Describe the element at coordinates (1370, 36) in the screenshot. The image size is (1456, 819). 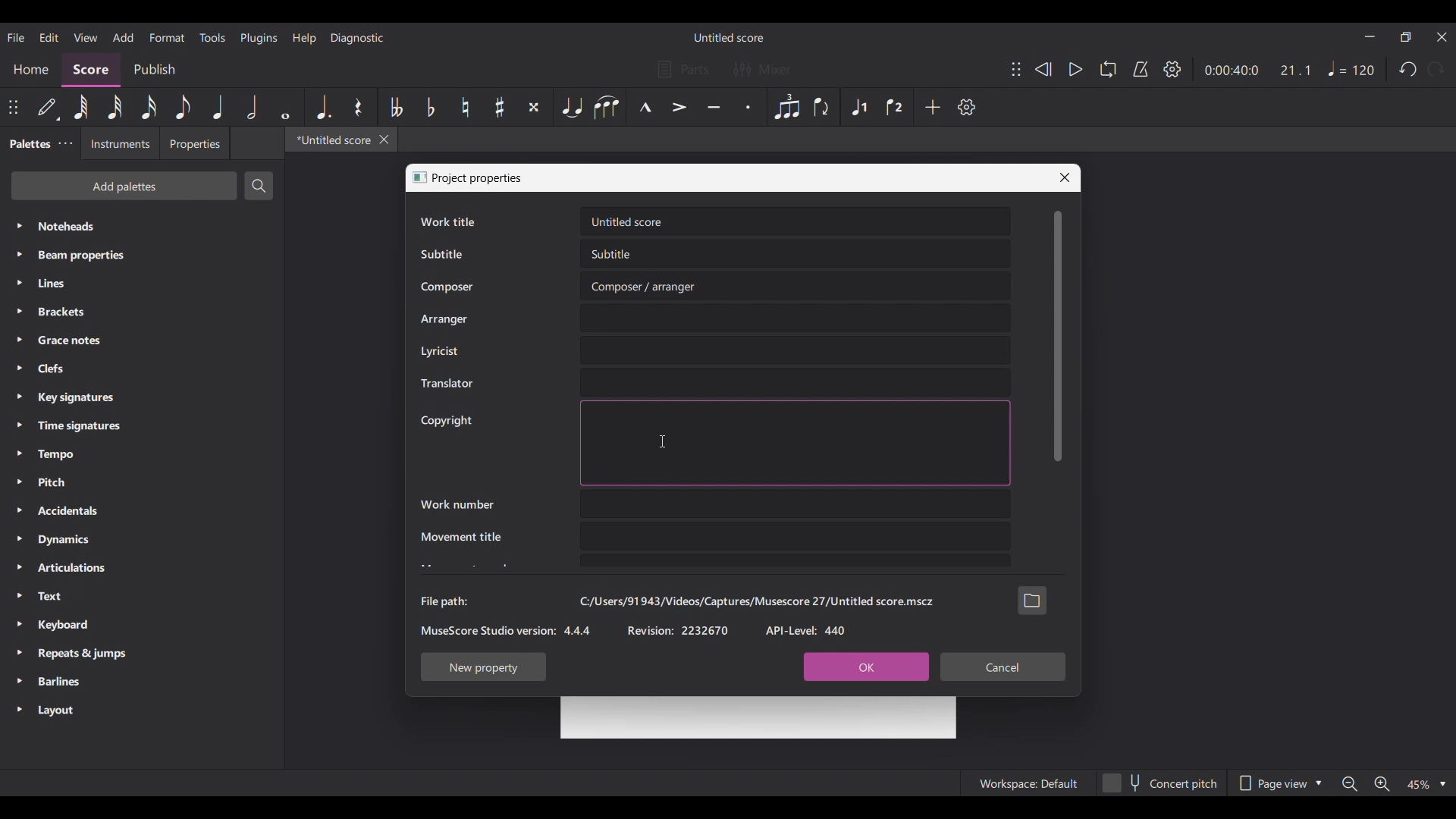
I see `Minimize` at that location.